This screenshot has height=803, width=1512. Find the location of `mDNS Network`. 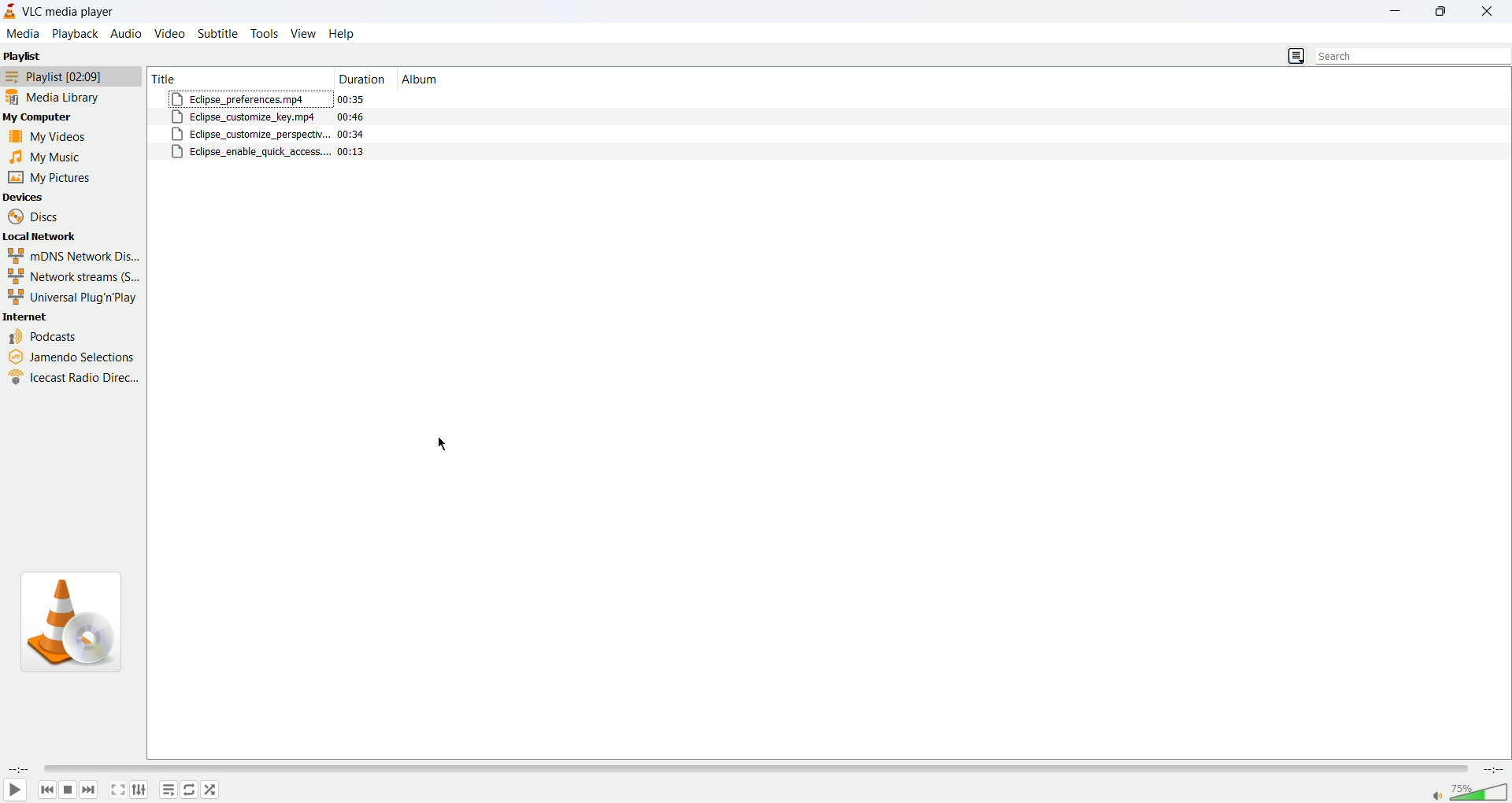

mDNS Network is located at coordinates (72, 257).